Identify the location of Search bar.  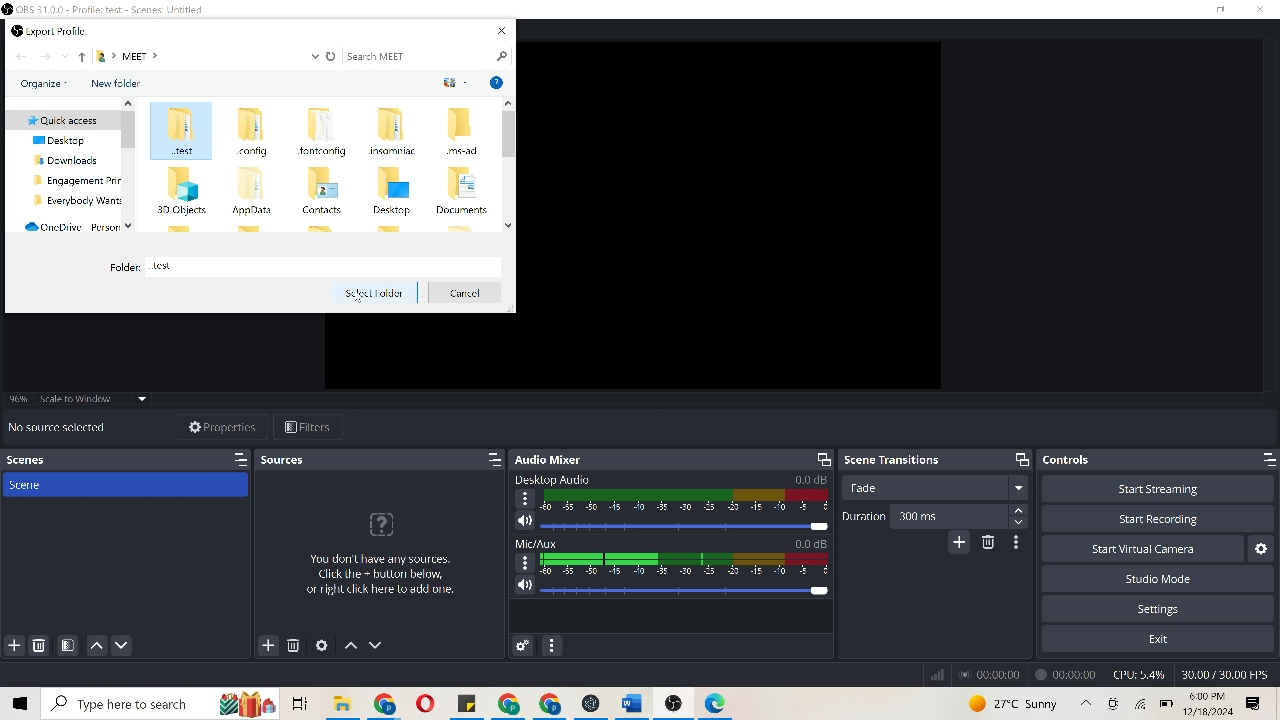
(129, 704).